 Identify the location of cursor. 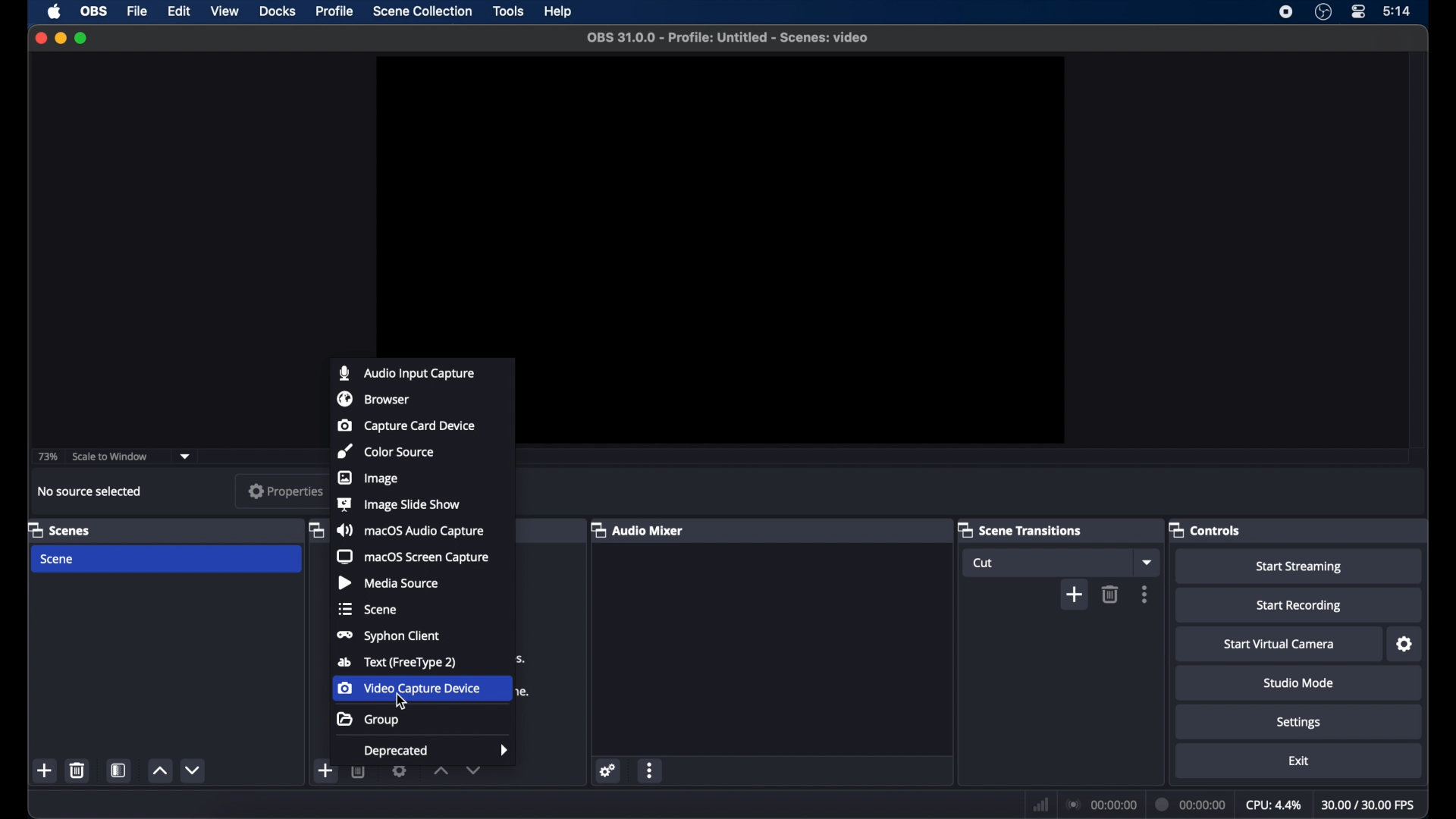
(400, 701).